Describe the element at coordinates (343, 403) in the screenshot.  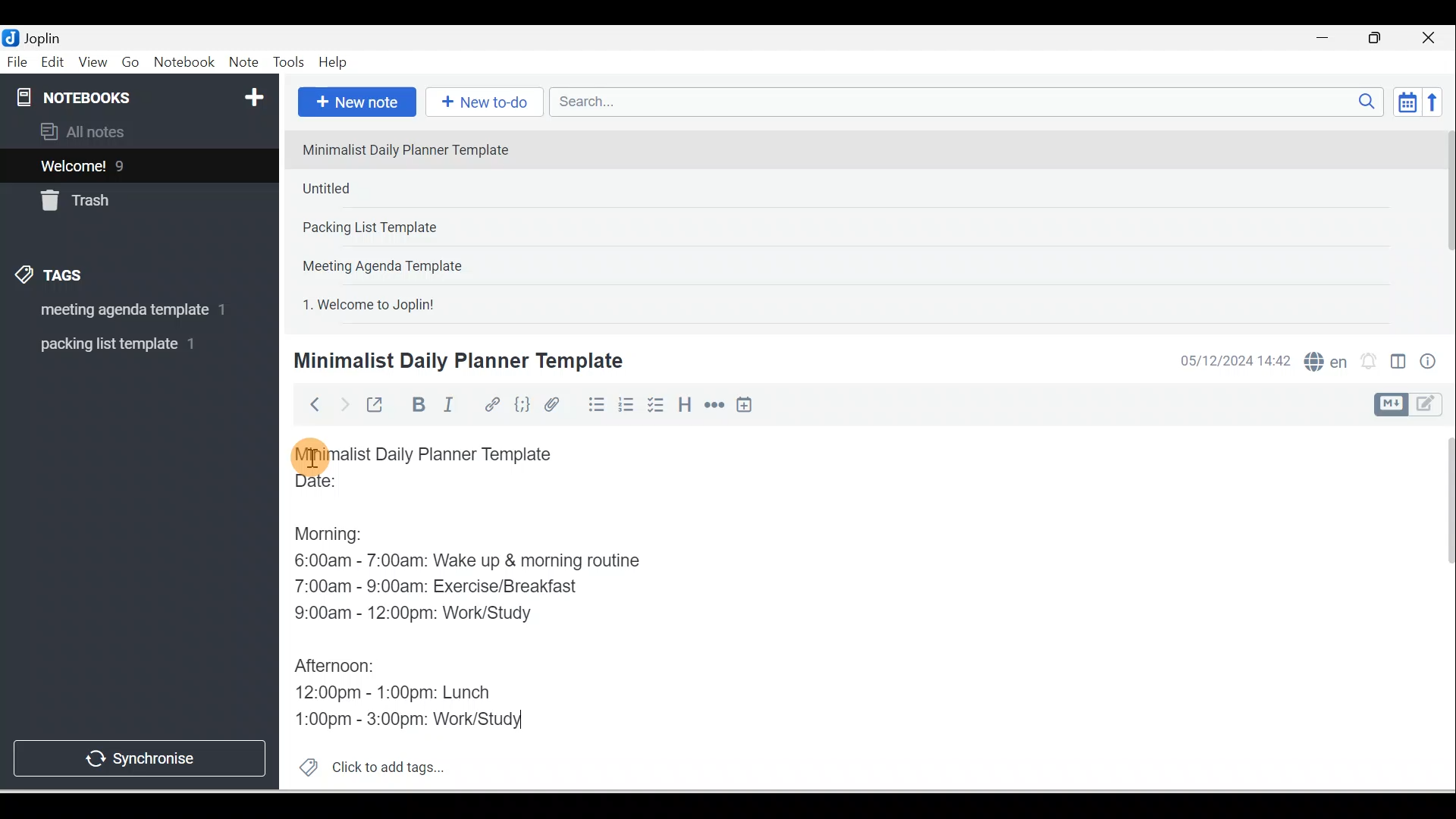
I see `Forward` at that location.